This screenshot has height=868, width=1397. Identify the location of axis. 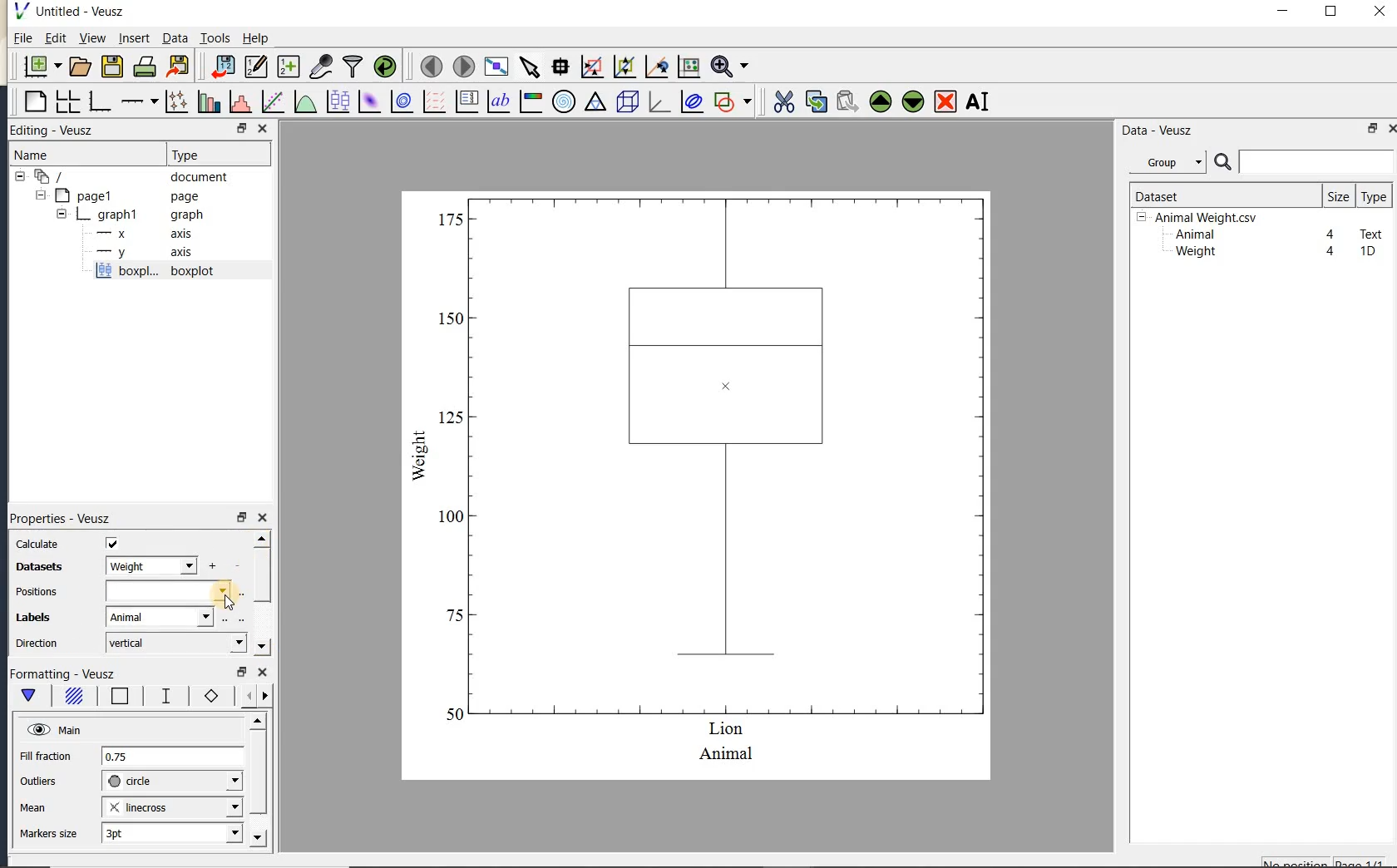
(140, 234).